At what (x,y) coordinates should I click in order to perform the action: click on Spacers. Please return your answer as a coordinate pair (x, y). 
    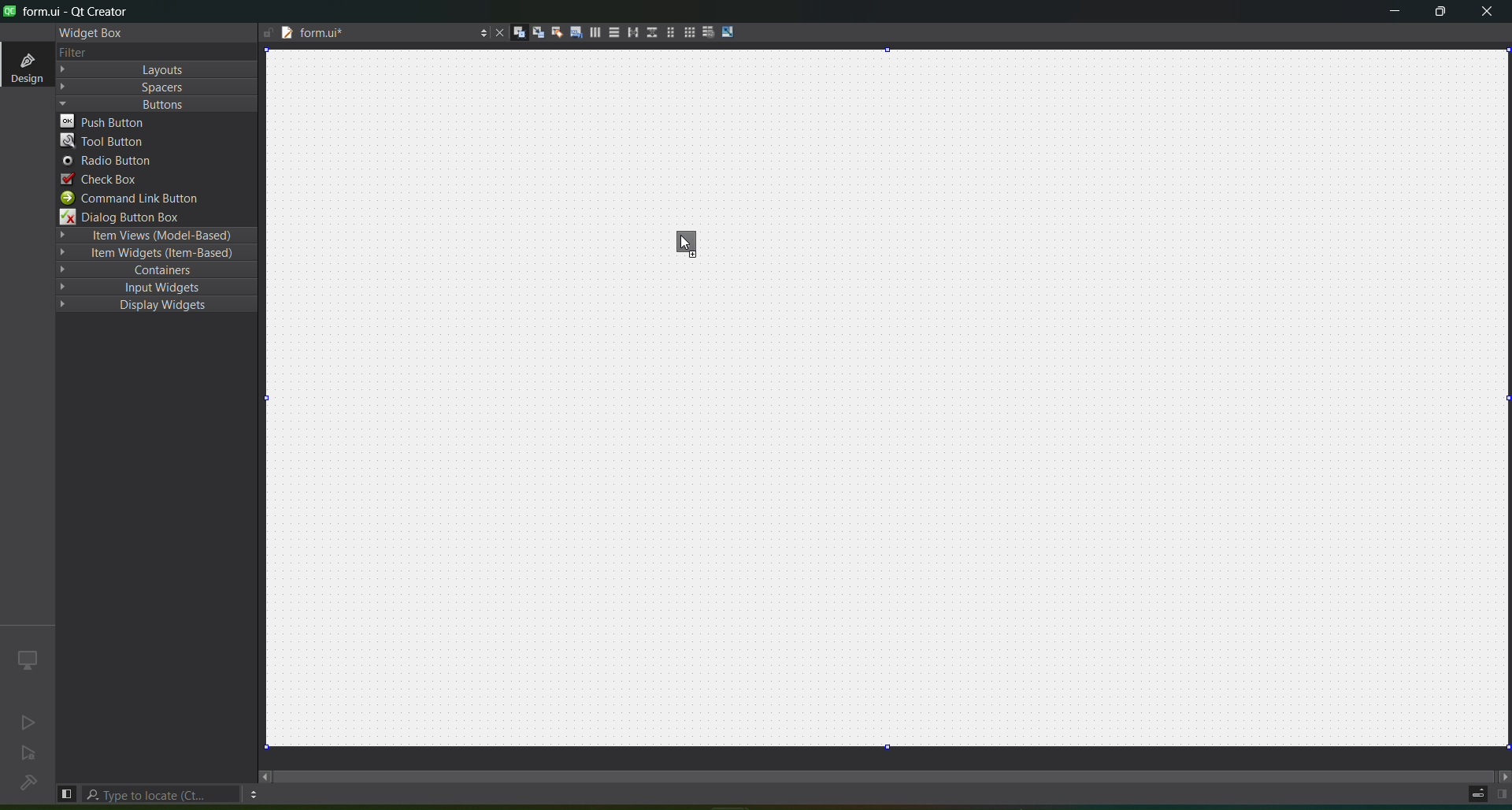
    Looking at the image, I should click on (158, 87).